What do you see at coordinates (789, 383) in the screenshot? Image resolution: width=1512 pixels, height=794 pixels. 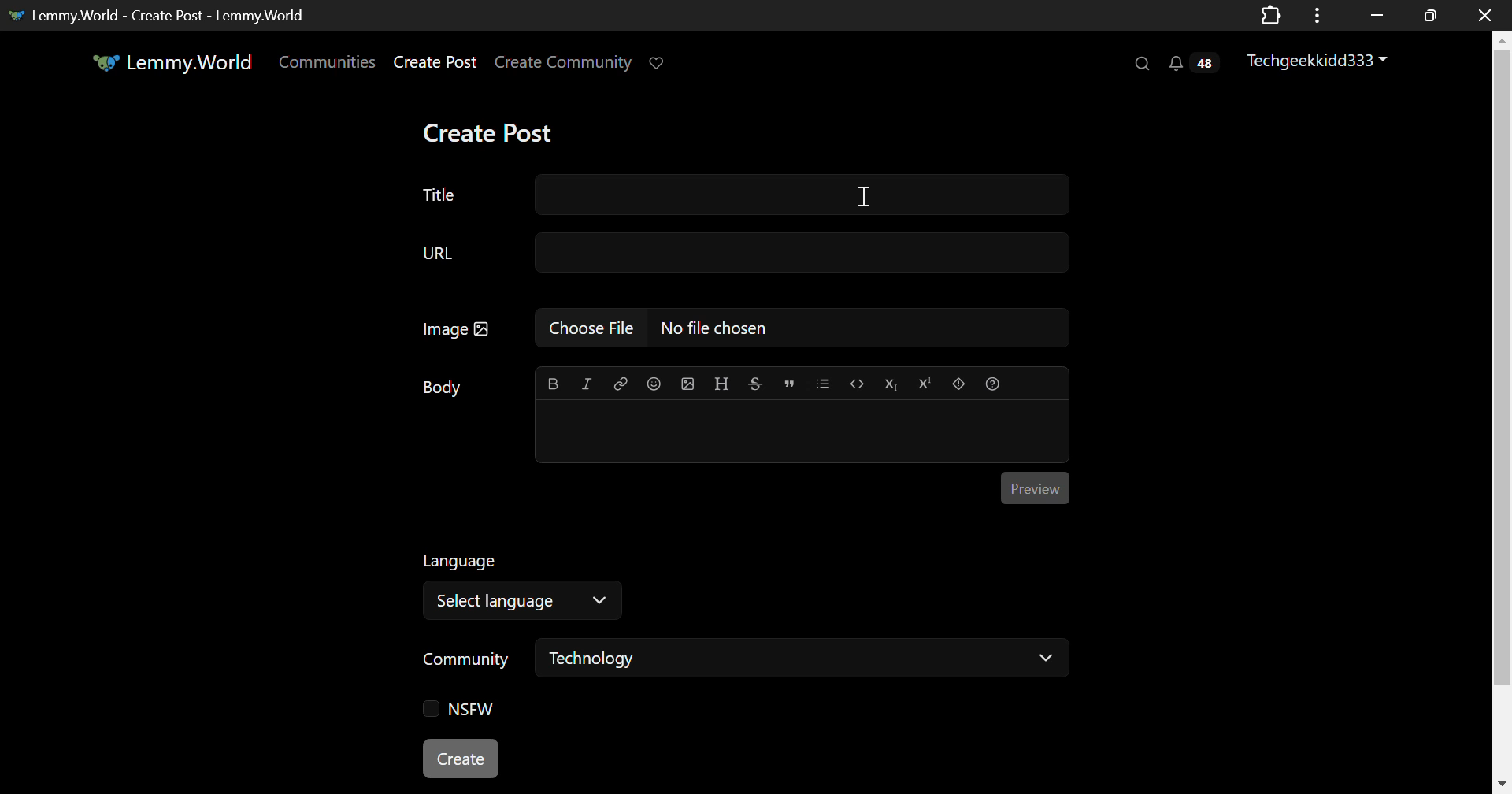 I see `quote` at bounding box center [789, 383].